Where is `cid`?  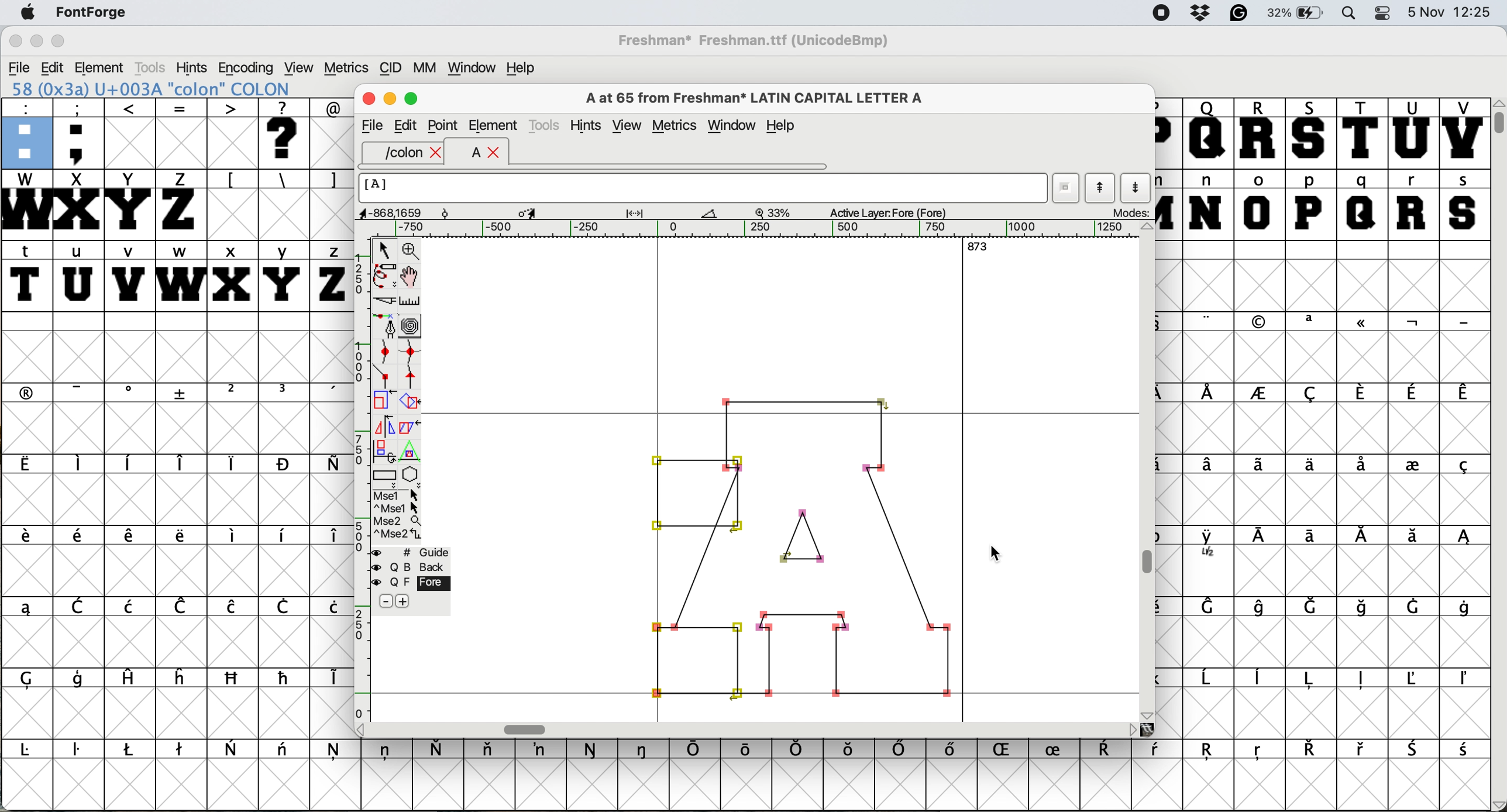 cid is located at coordinates (389, 67).